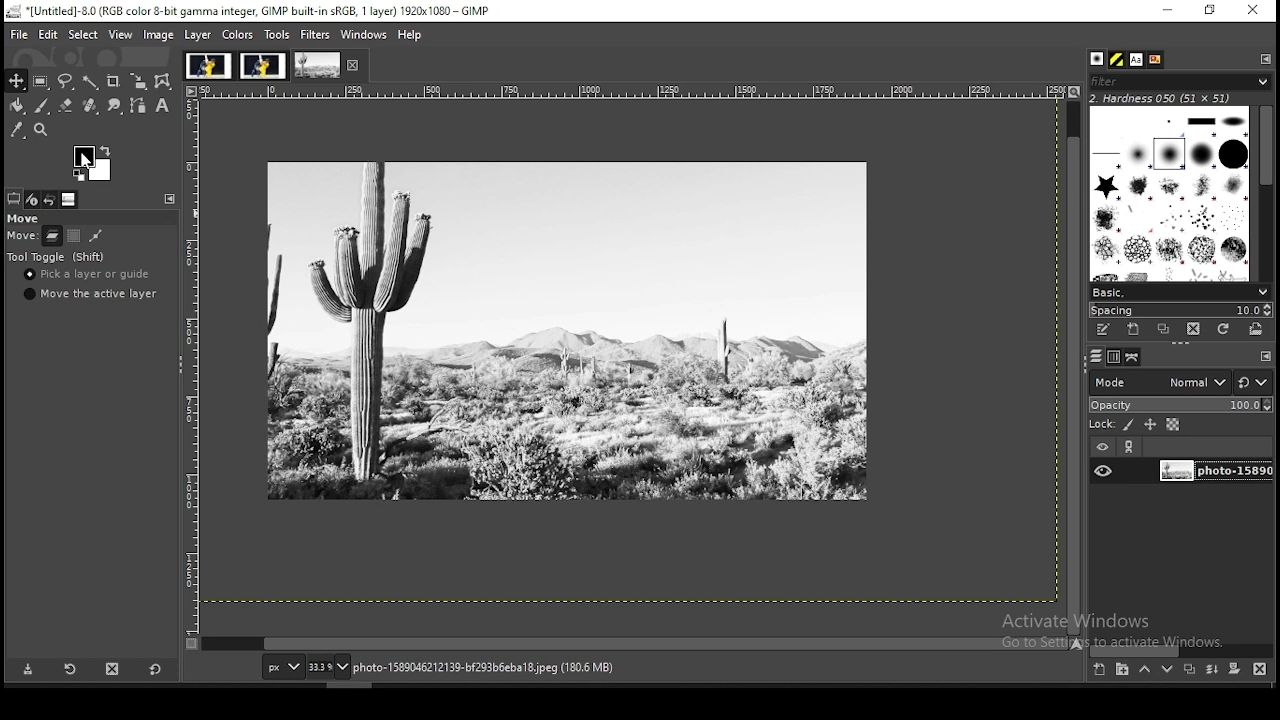  What do you see at coordinates (1150, 424) in the screenshot?
I see `lock size and position` at bounding box center [1150, 424].